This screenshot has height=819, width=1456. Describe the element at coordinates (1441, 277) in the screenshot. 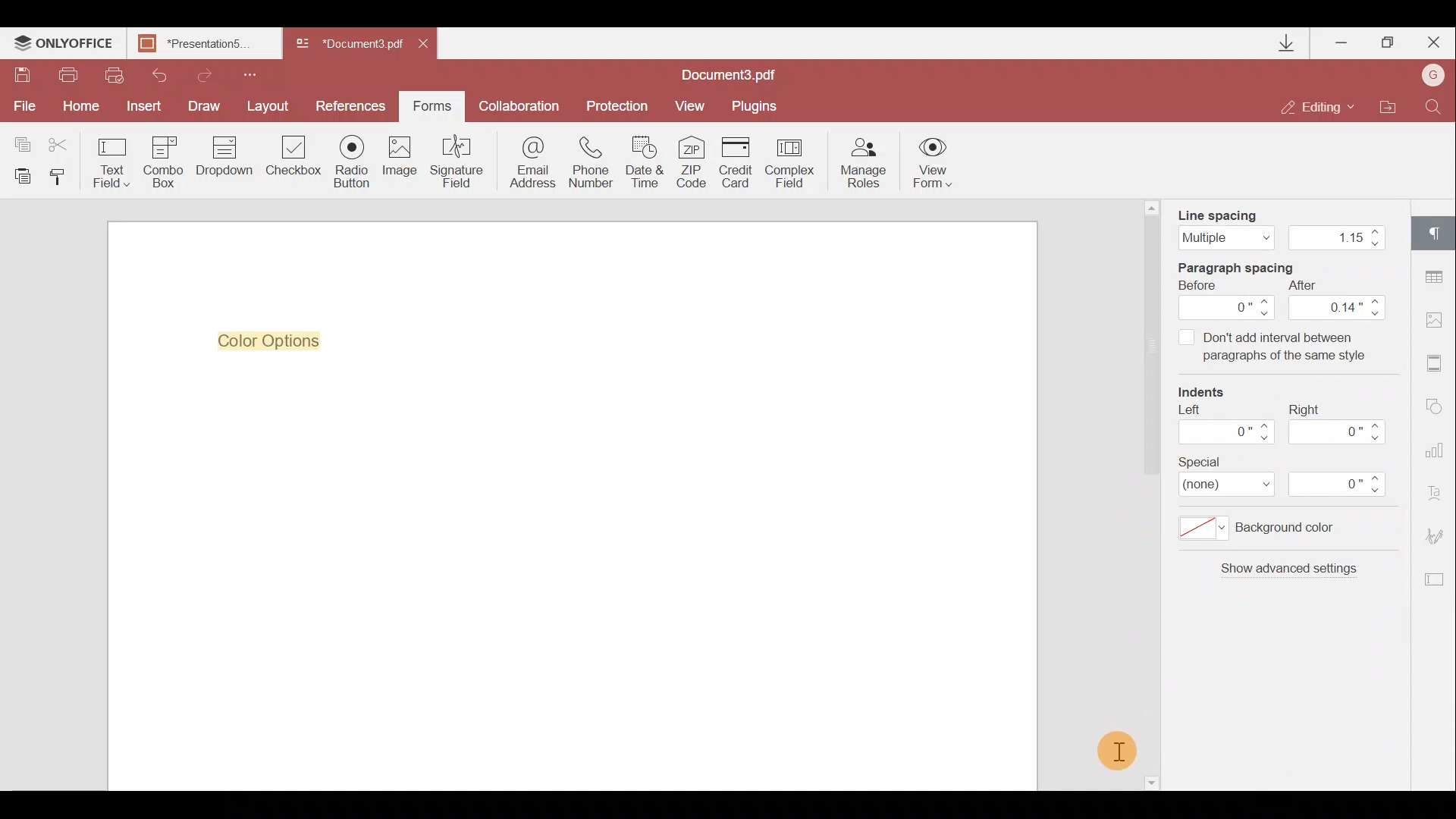

I see `Table settings` at that location.